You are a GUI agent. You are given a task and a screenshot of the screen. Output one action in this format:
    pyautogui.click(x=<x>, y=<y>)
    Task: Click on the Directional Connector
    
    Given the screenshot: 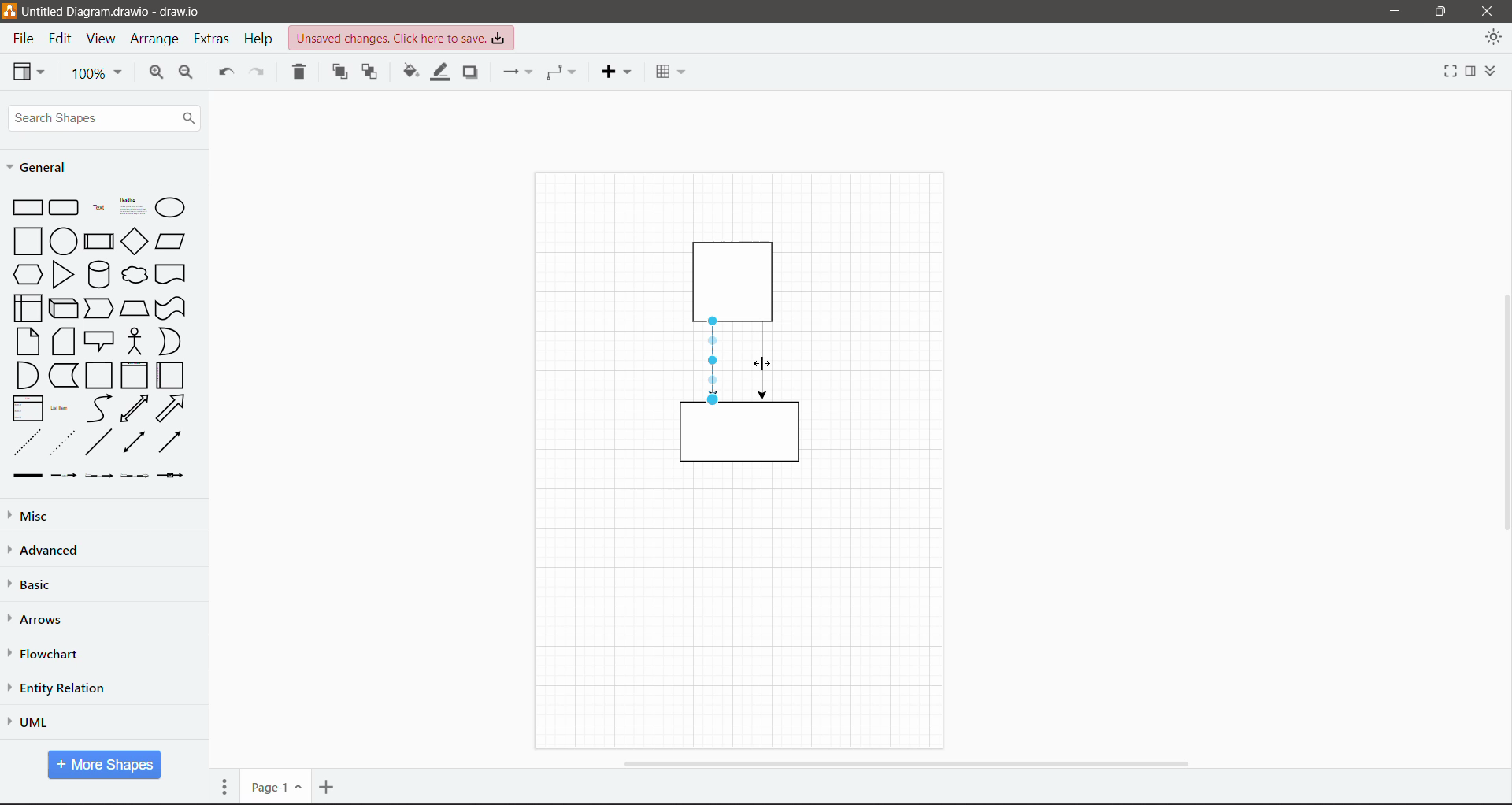 What is the action you would take?
    pyautogui.click(x=764, y=362)
    